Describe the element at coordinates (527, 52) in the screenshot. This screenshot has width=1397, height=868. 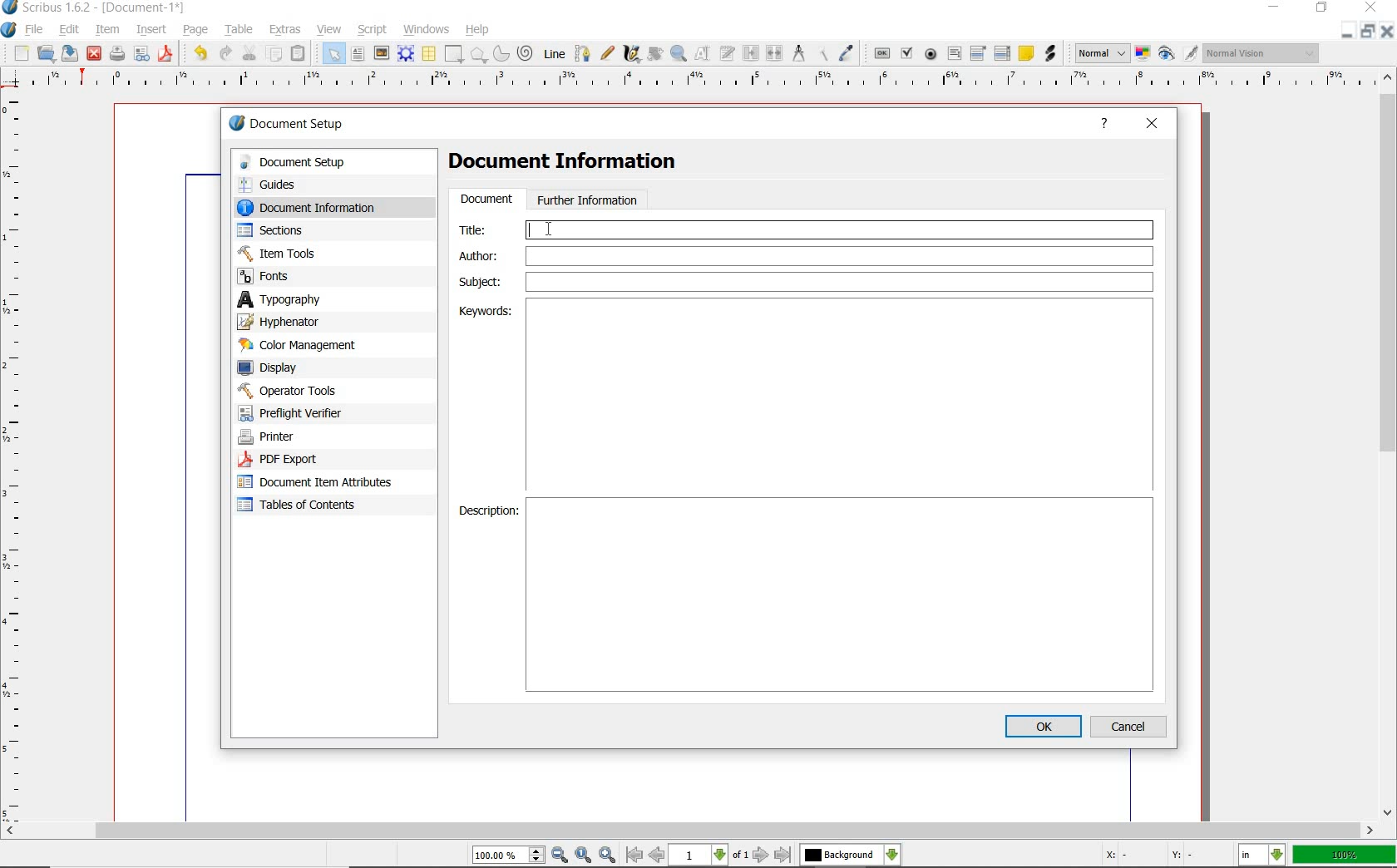
I see `spiral` at that location.